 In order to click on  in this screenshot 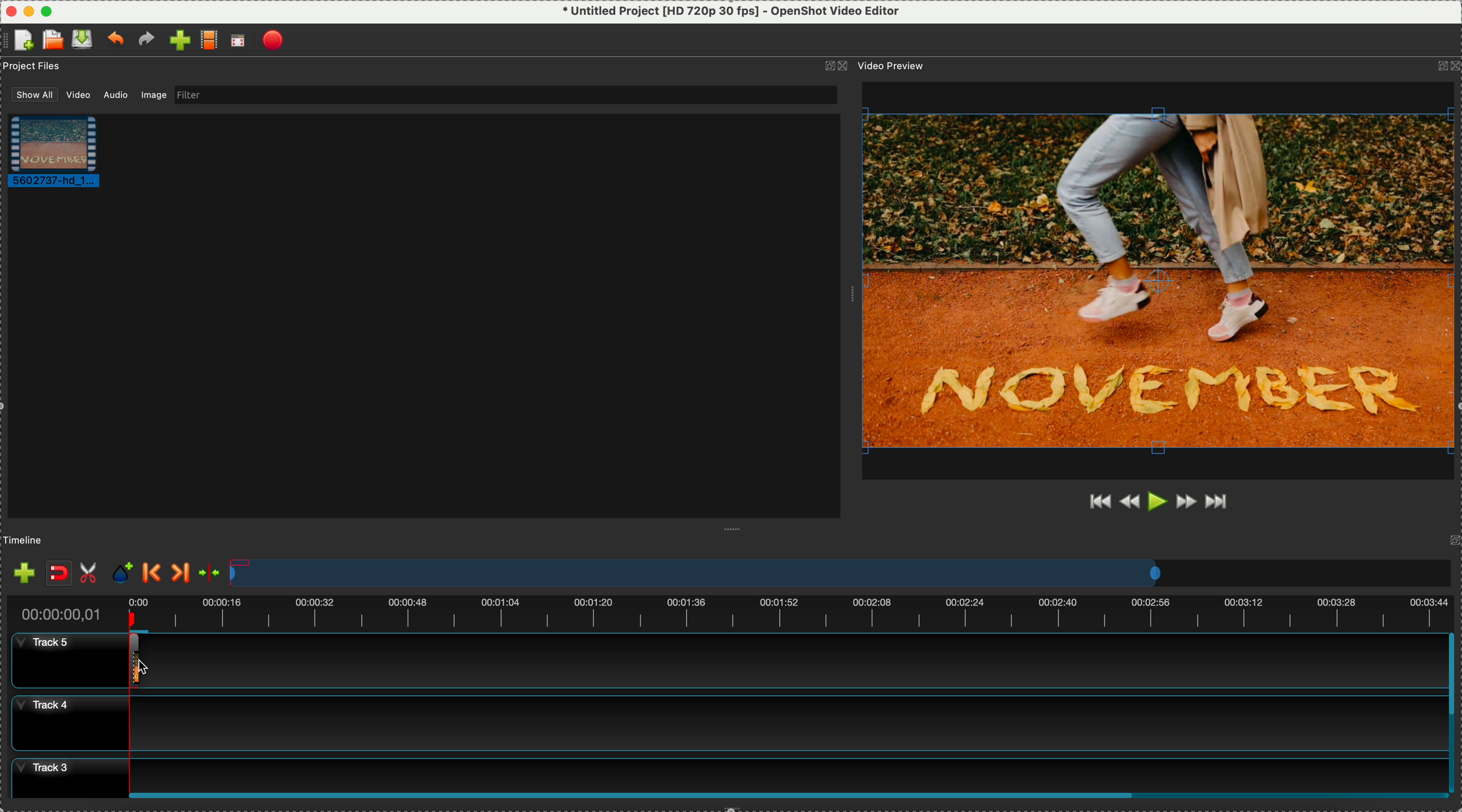, I will do `click(851, 294)`.